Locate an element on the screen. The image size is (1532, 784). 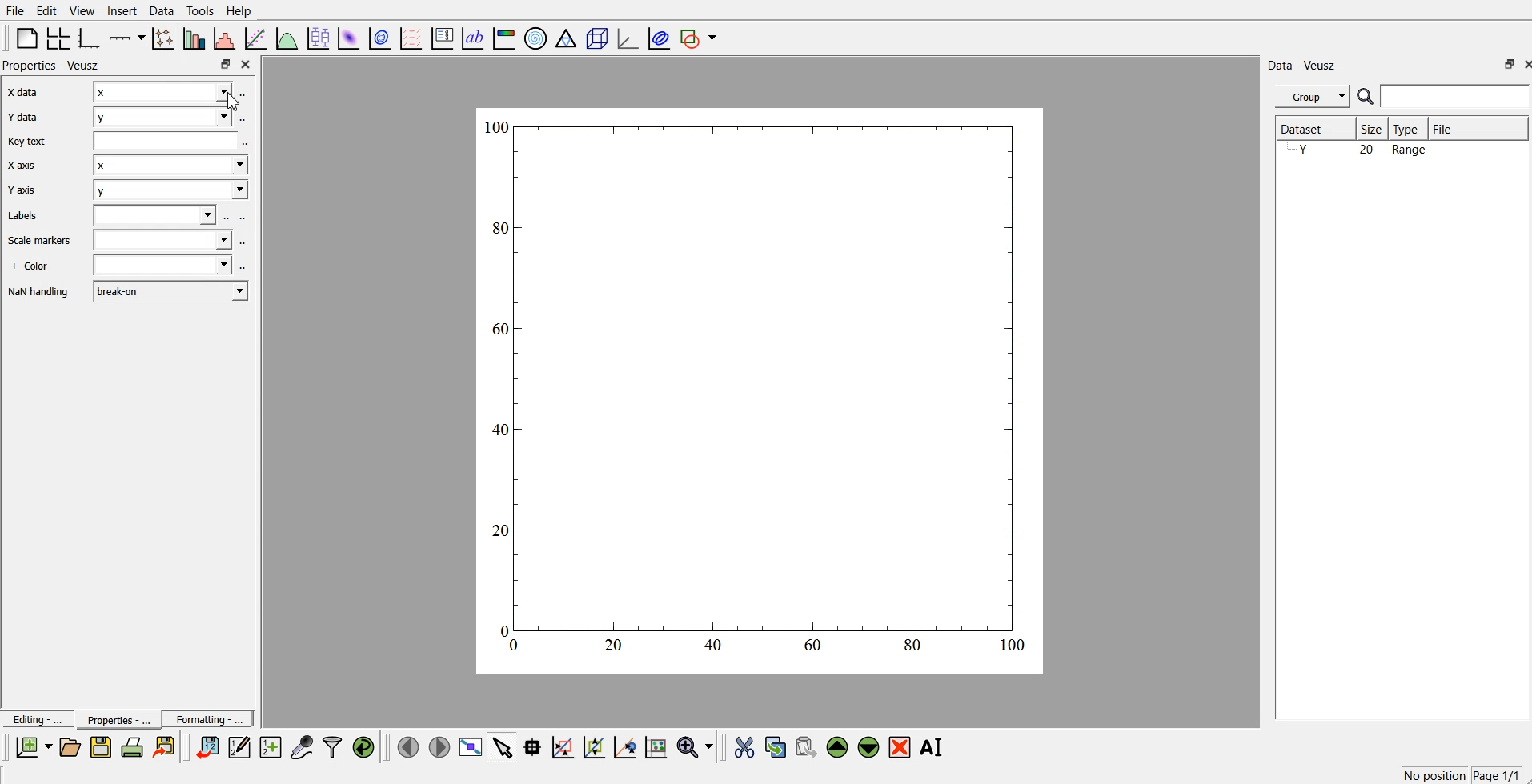
Properties - Veusz is located at coordinates (52, 66).